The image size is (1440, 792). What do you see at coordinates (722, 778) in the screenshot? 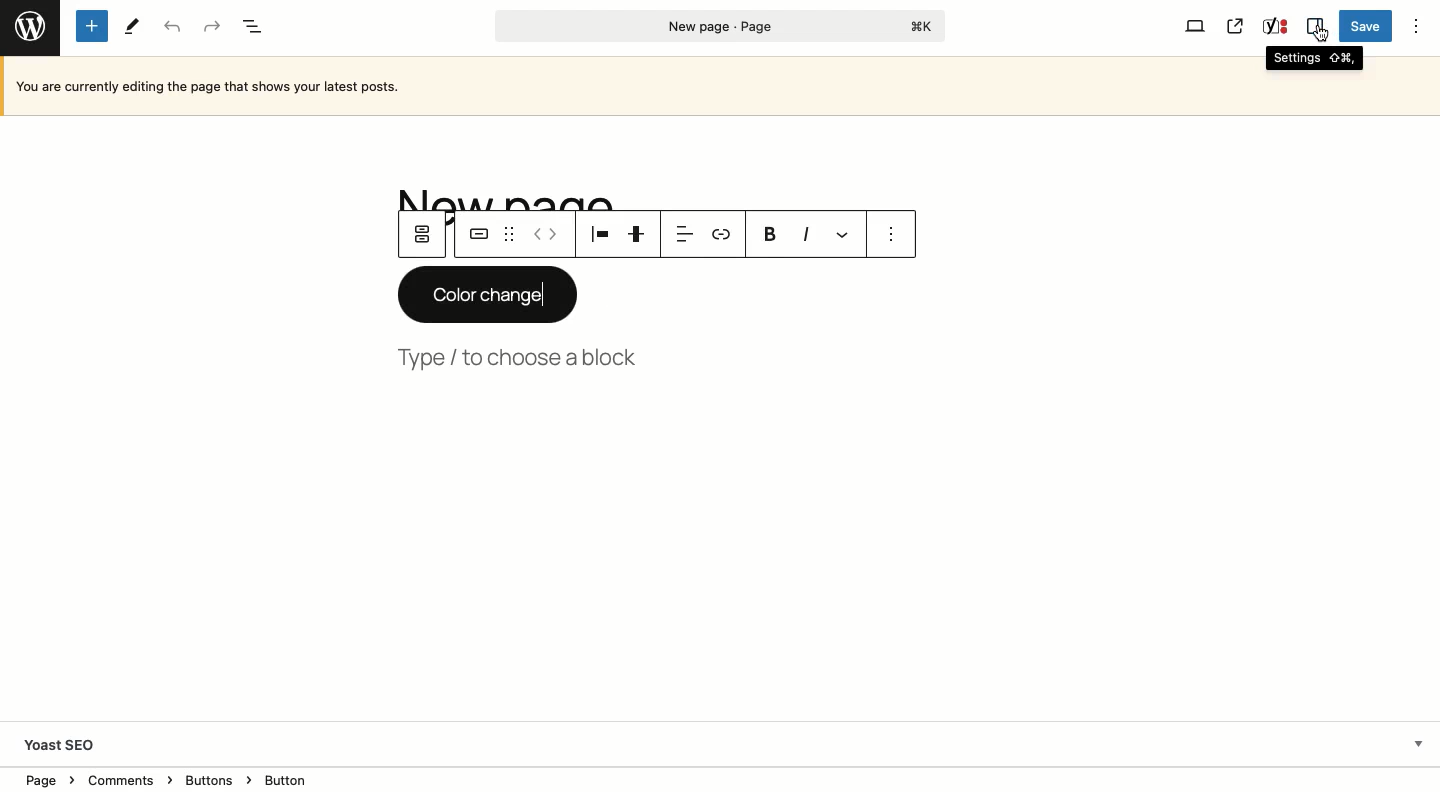
I see `Location` at bounding box center [722, 778].